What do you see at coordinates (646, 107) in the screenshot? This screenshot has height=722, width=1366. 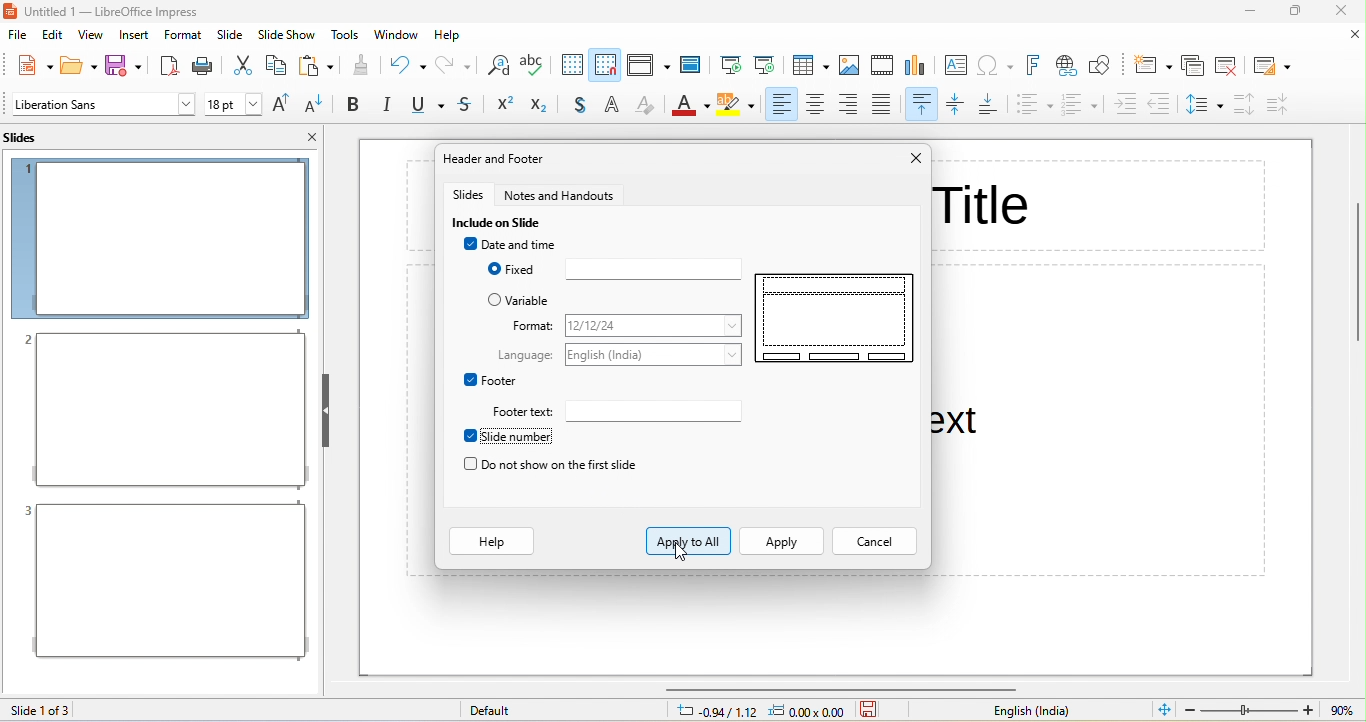 I see `clear direct formatting` at bounding box center [646, 107].